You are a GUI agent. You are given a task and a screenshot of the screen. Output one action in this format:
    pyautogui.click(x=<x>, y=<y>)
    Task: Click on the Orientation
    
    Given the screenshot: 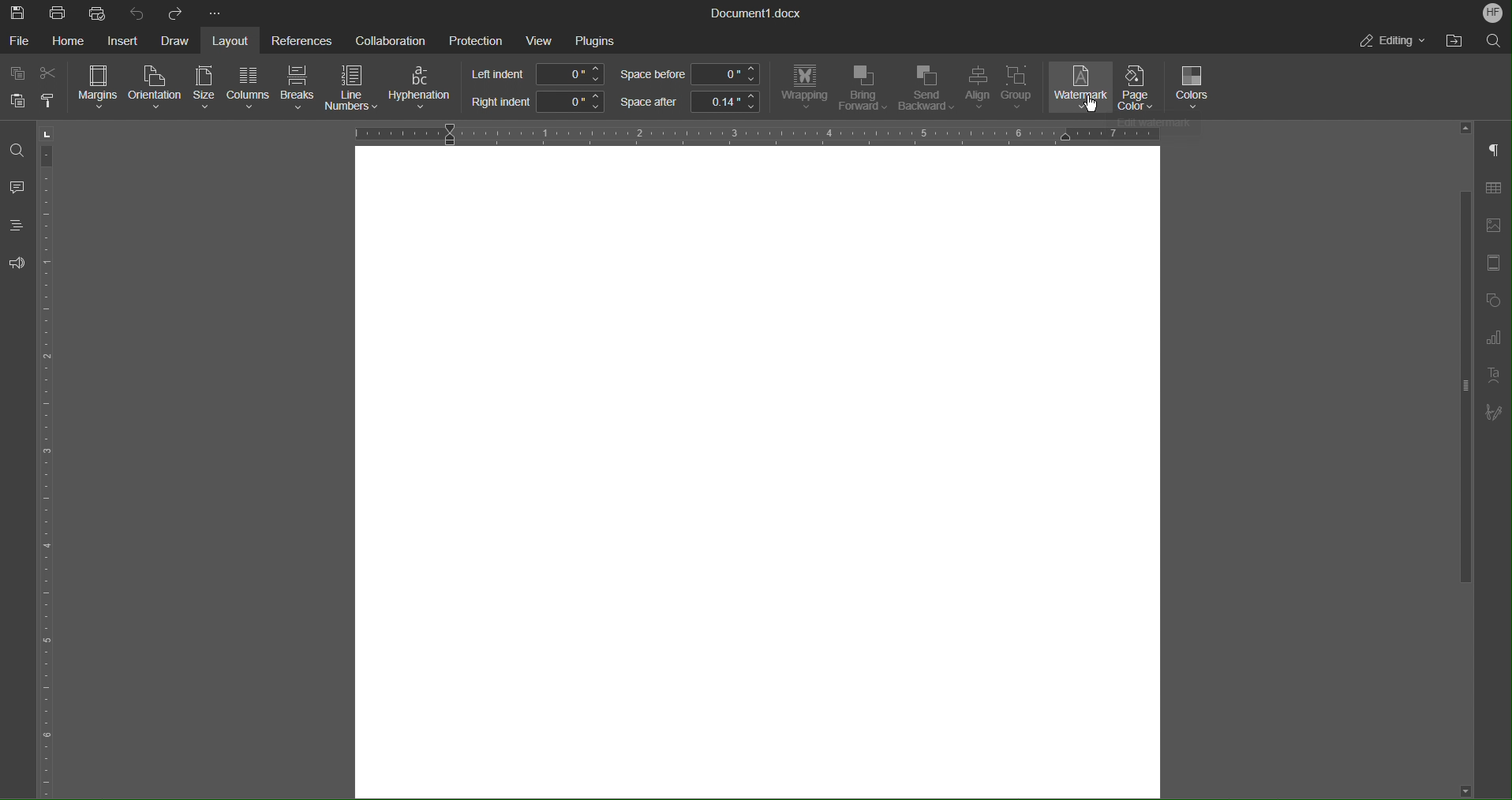 What is the action you would take?
    pyautogui.click(x=156, y=88)
    